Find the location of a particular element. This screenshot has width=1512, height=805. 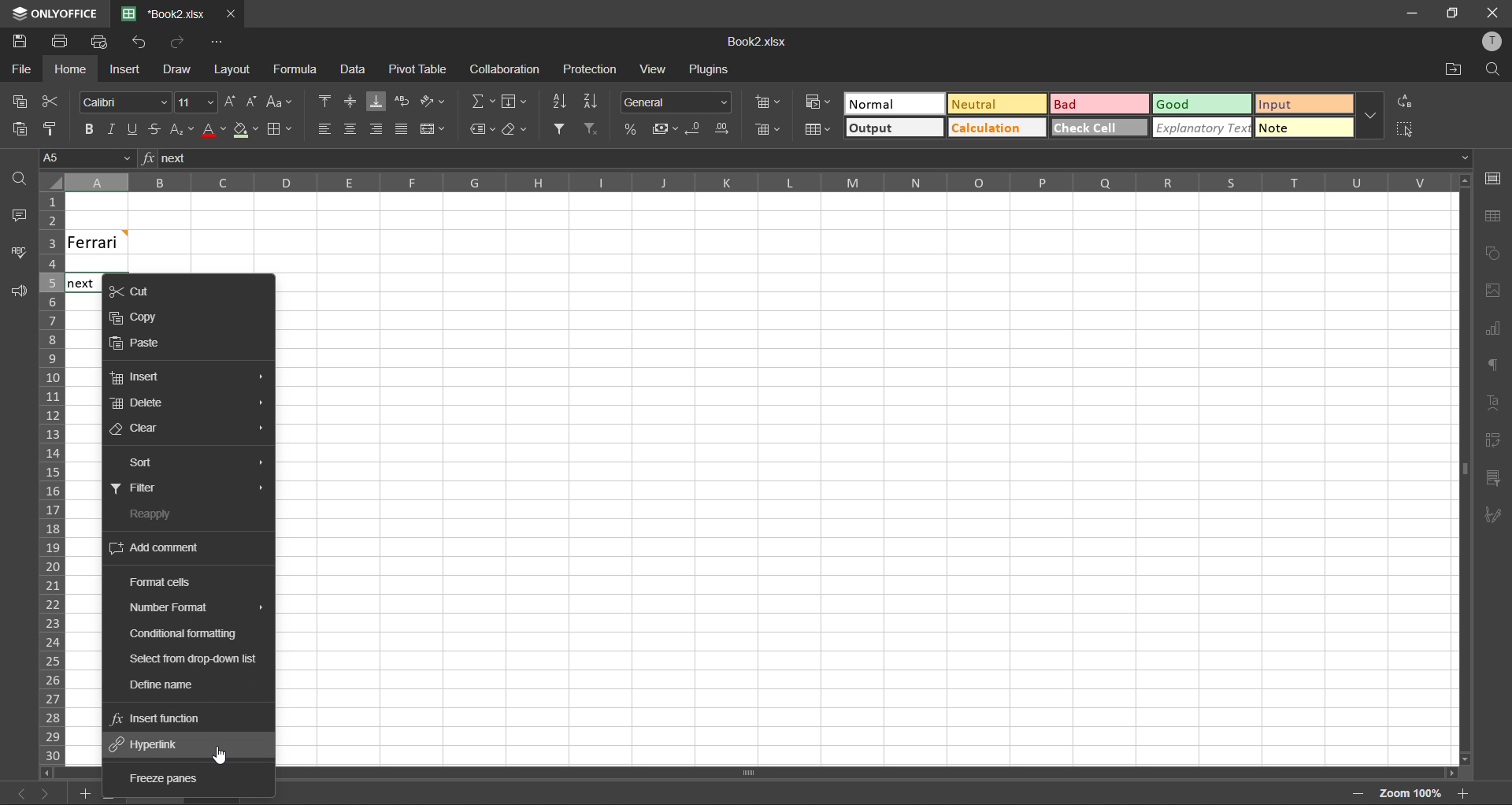

insert is located at coordinates (122, 69).